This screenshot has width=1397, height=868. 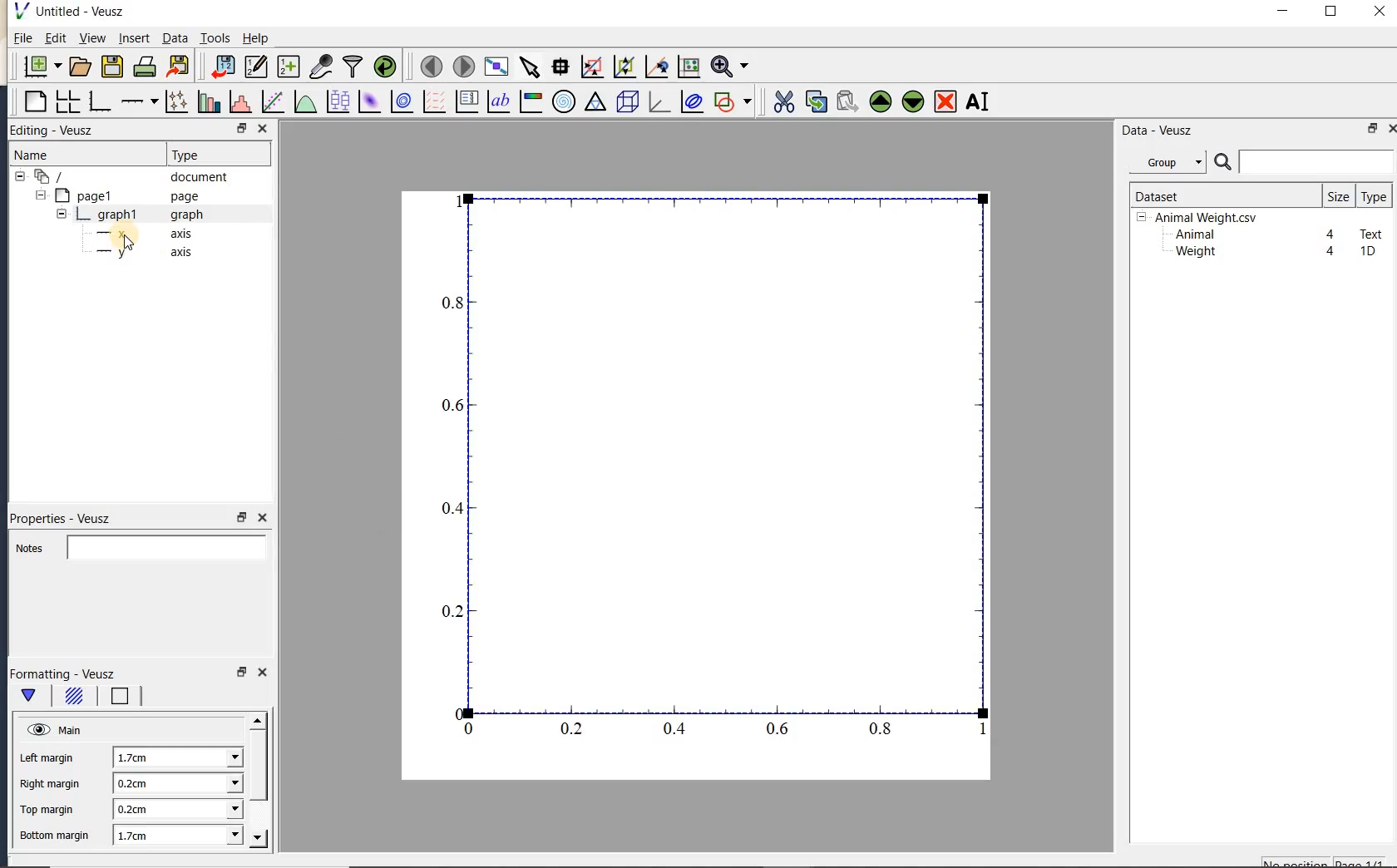 What do you see at coordinates (289, 65) in the screenshot?
I see `create new datasets` at bounding box center [289, 65].